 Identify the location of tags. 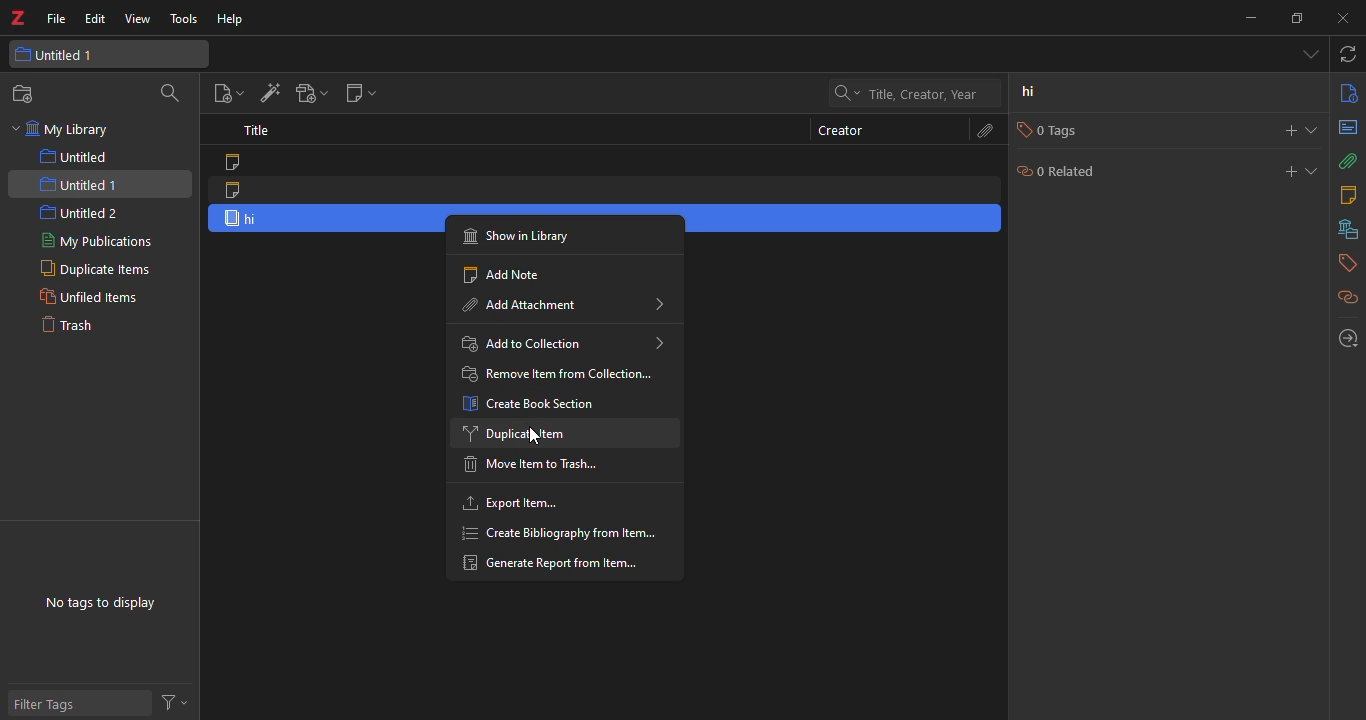
(1345, 266).